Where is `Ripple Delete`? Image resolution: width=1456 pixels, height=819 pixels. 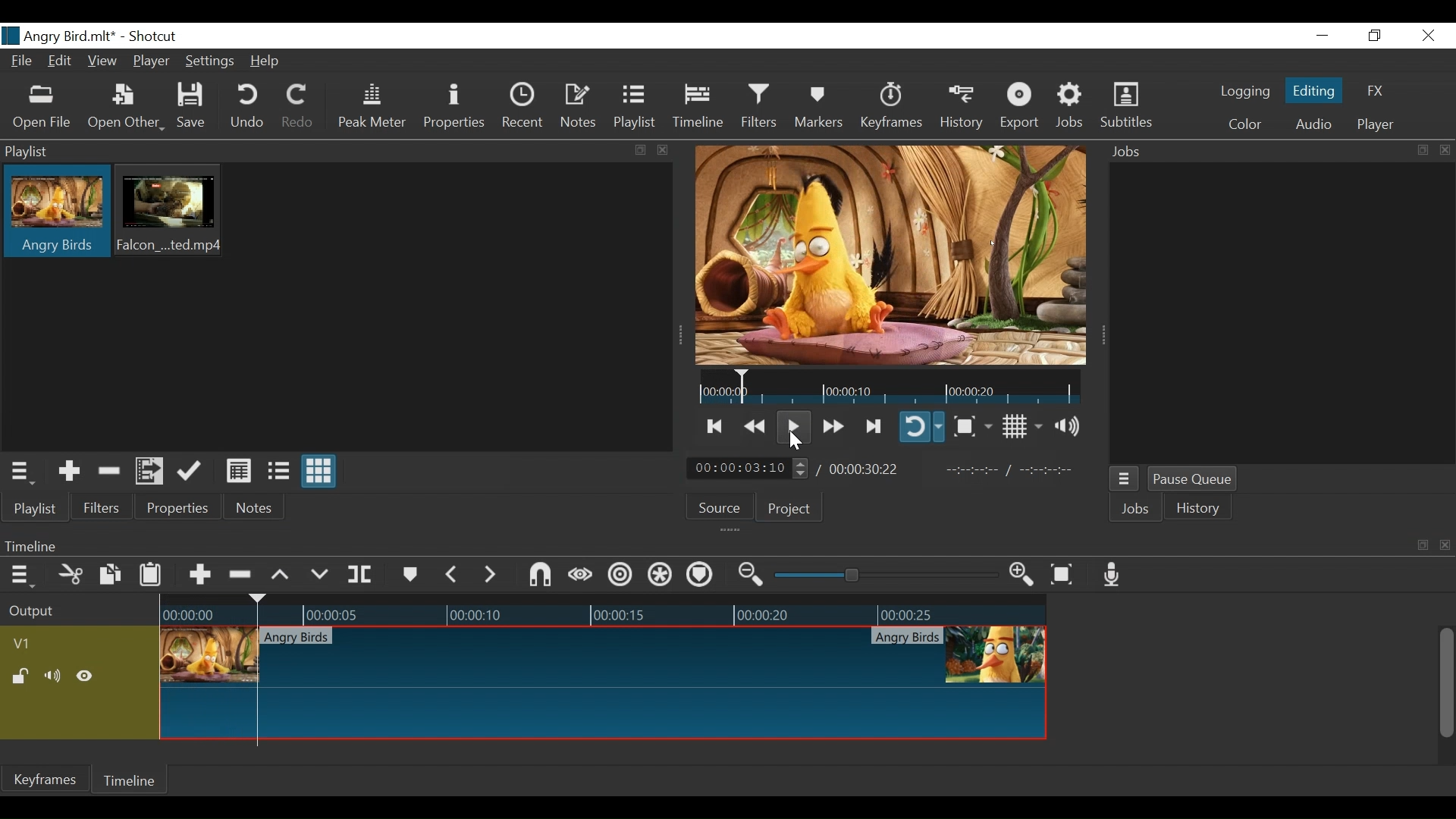 Ripple Delete is located at coordinates (242, 573).